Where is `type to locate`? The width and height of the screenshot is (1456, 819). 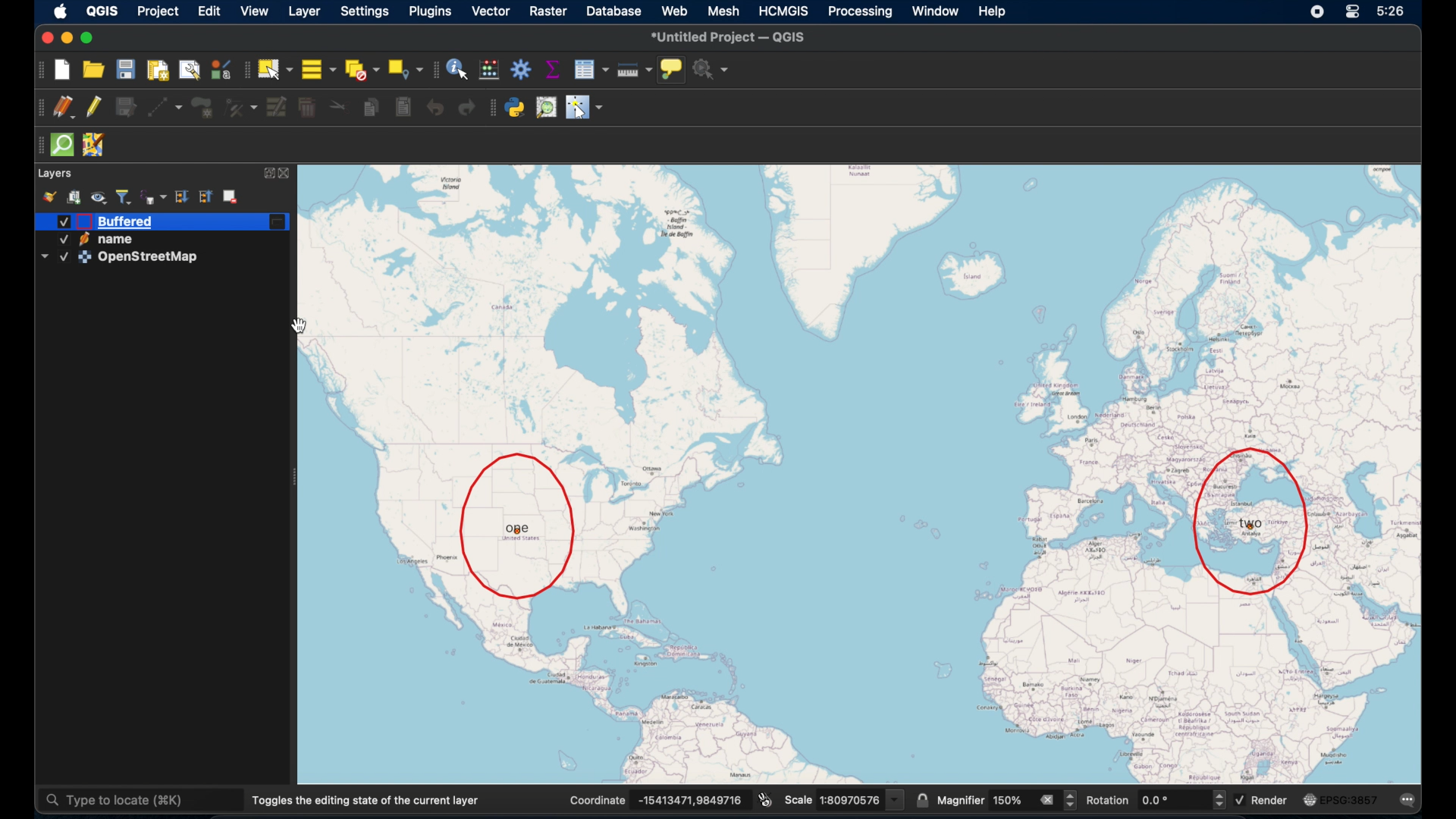 type to locate is located at coordinates (140, 802).